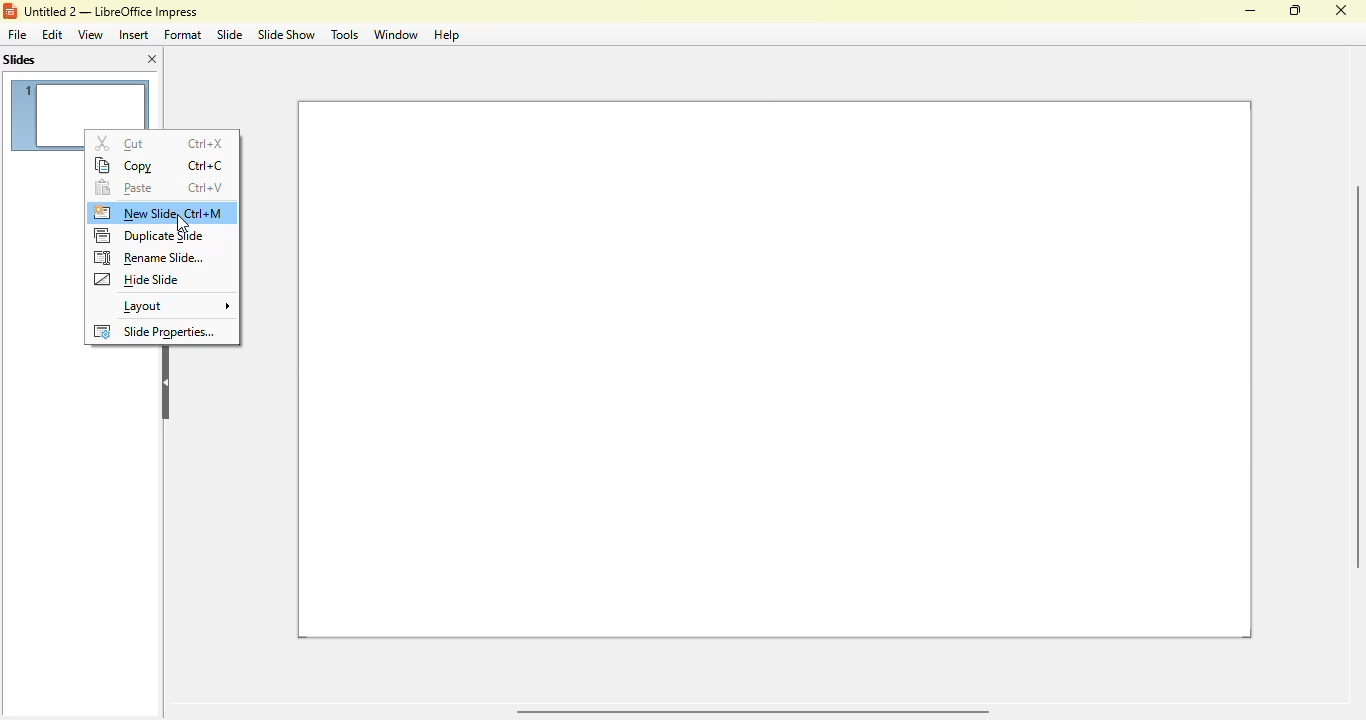 This screenshot has height=720, width=1366. What do you see at coordinates (110, 12) in the screenshot?
I see `title` at bounding box center [110, 12].